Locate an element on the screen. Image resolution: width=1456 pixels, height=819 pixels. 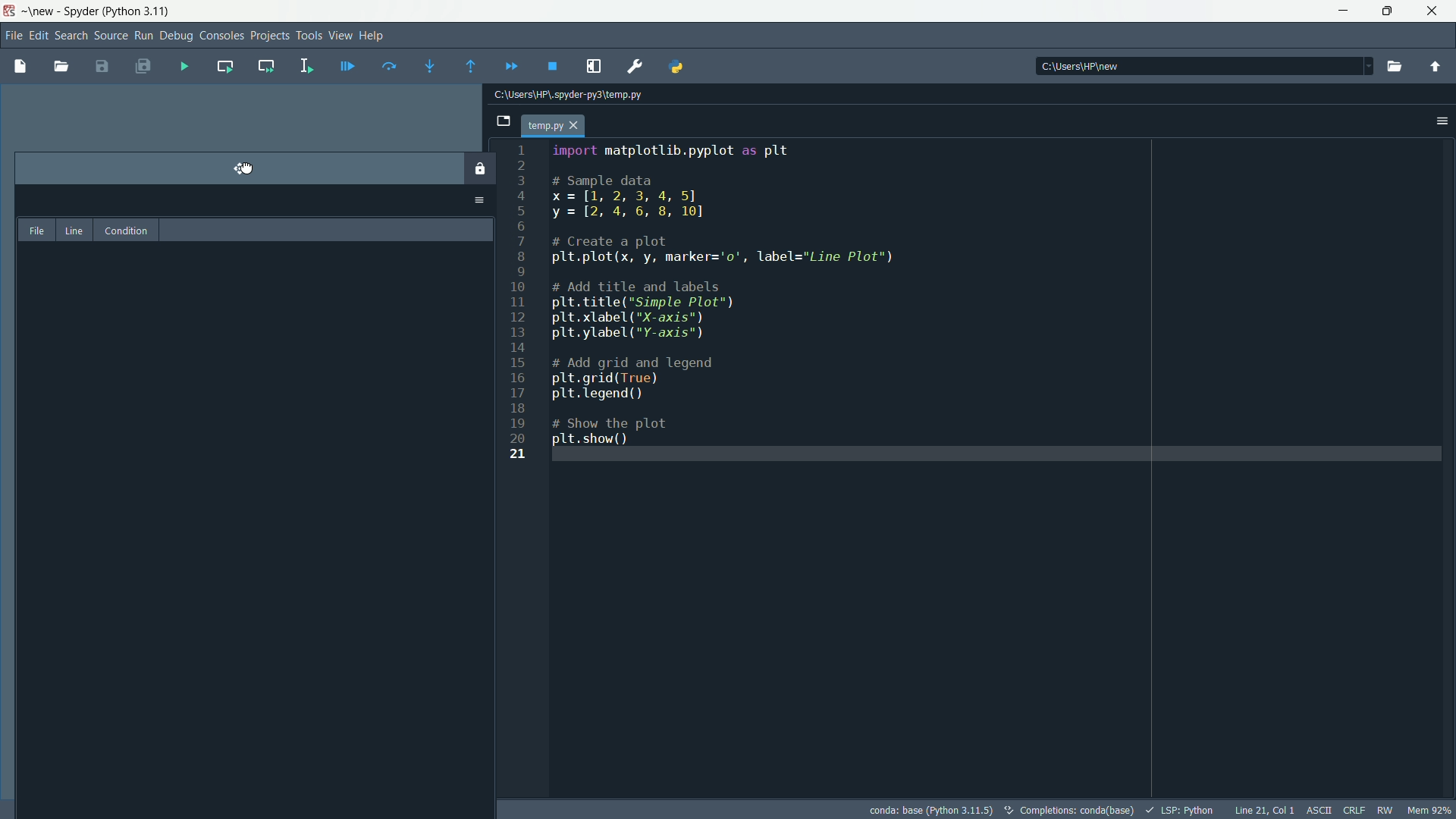
python 3.11 is located at coordinates (140, 10).